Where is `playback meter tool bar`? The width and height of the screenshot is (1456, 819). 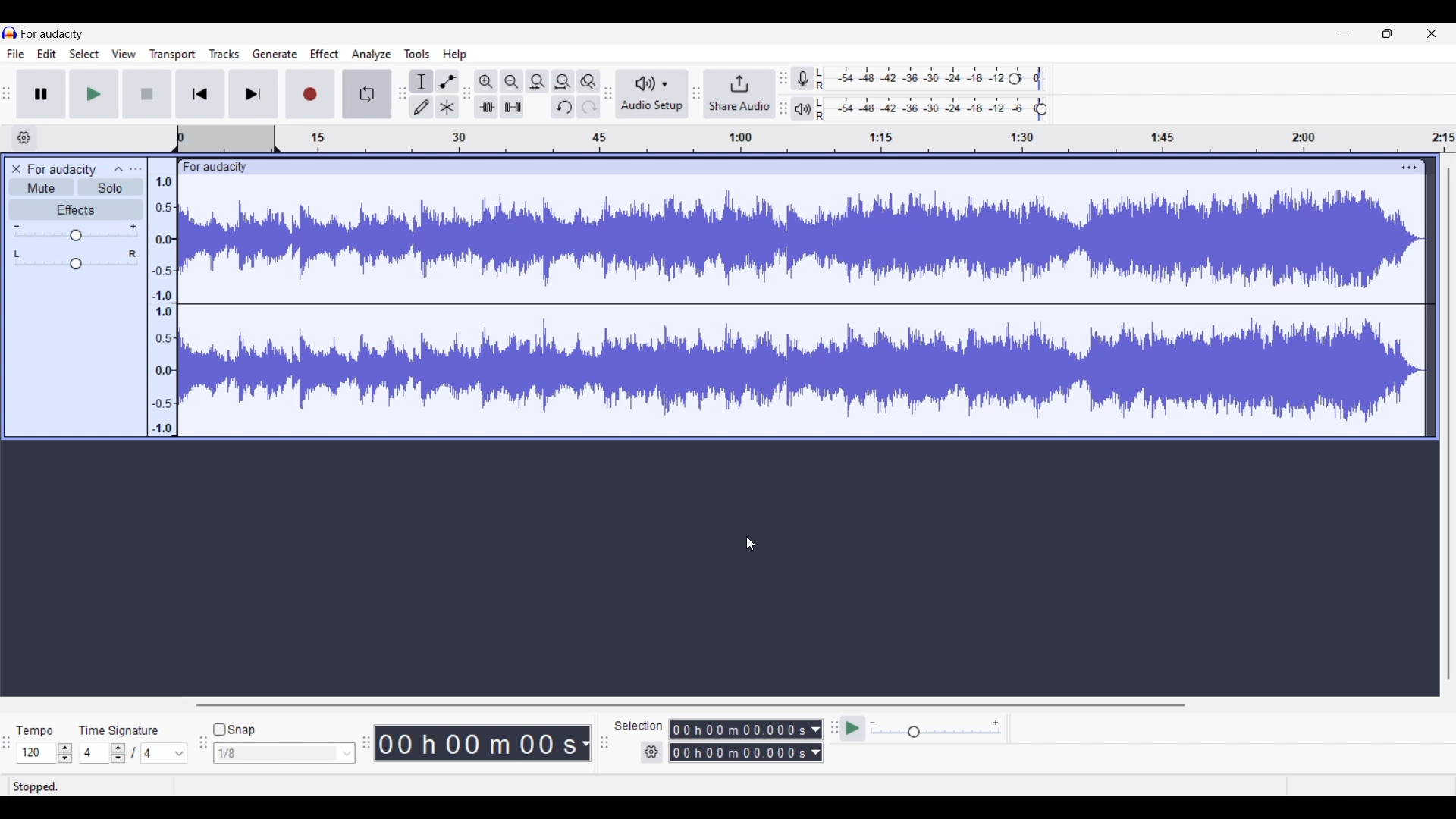
playback meter tool bar is located at coordinates (784, 110).